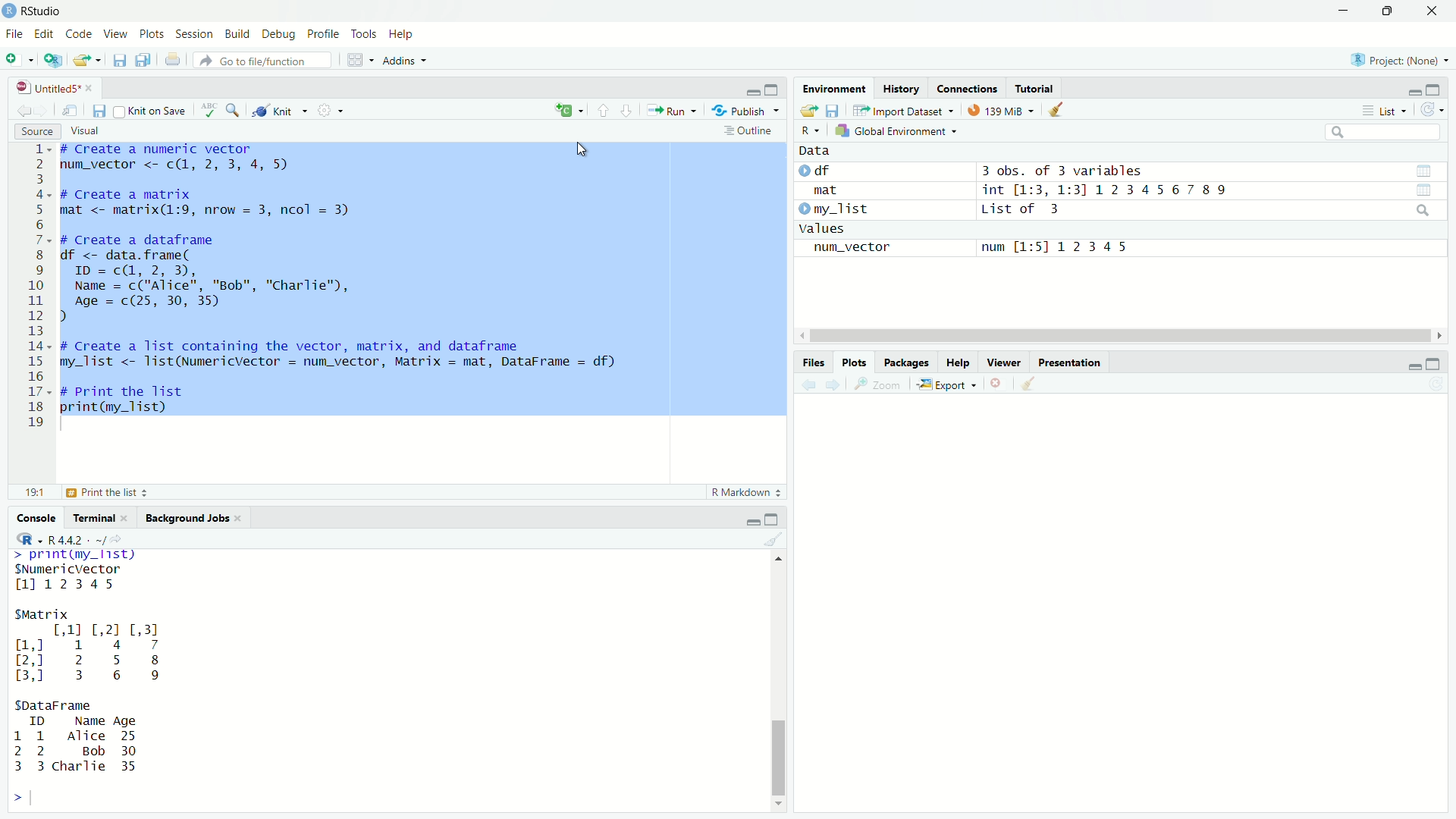  I want to click on maximise, so click(772, 87).